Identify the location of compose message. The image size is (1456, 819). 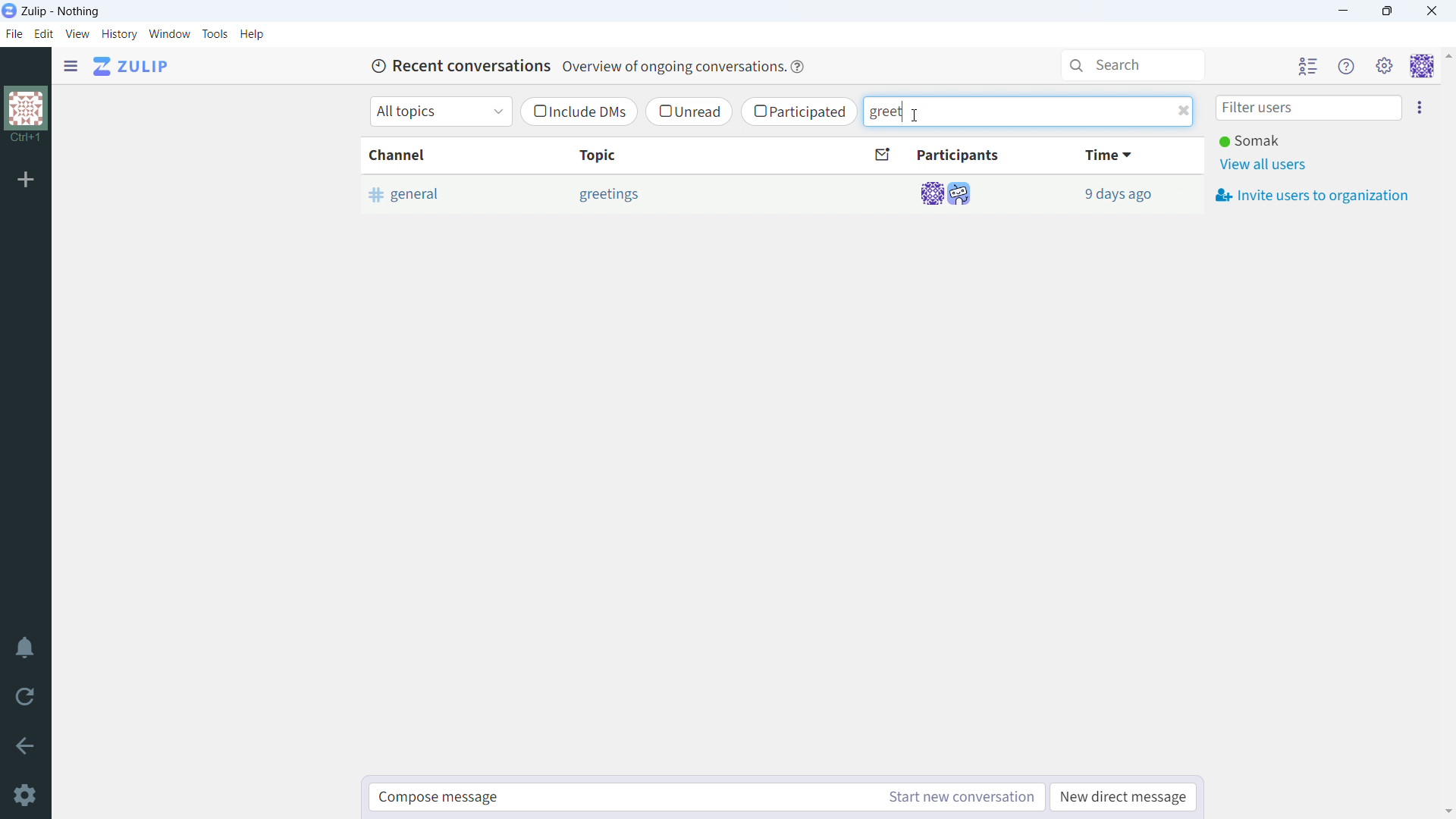
(620, 798).